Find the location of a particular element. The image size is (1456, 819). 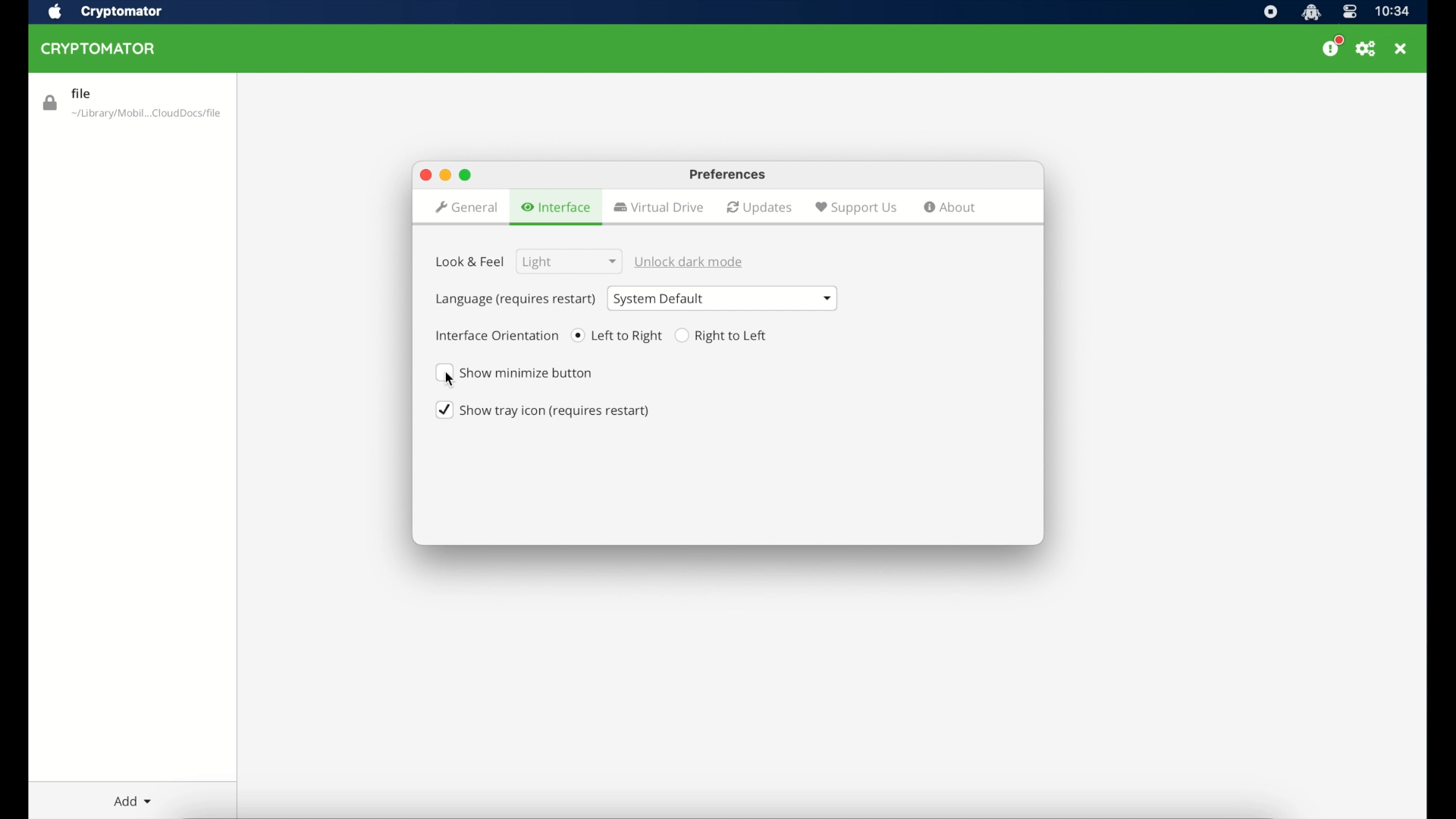

preferences is located at coordinates (729, 175).